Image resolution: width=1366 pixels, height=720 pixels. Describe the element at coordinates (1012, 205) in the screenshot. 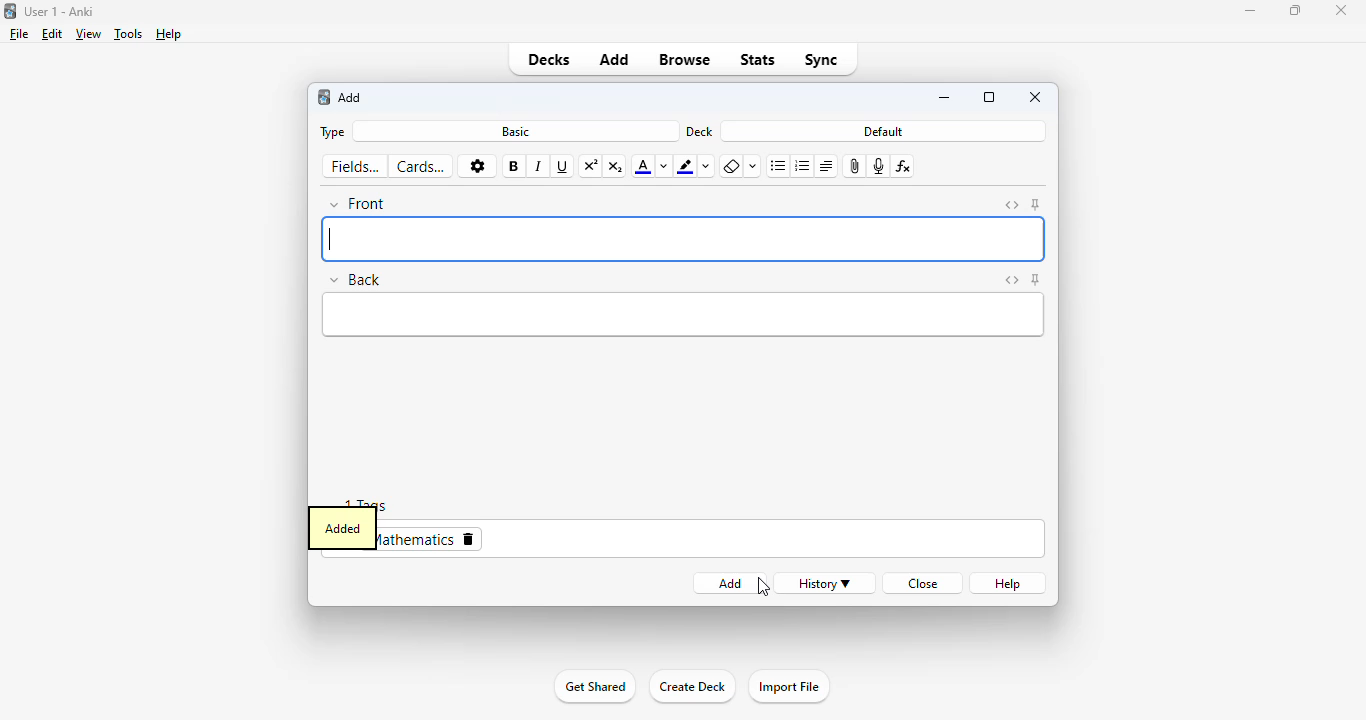

I see `toggle HTML editor` at that location.